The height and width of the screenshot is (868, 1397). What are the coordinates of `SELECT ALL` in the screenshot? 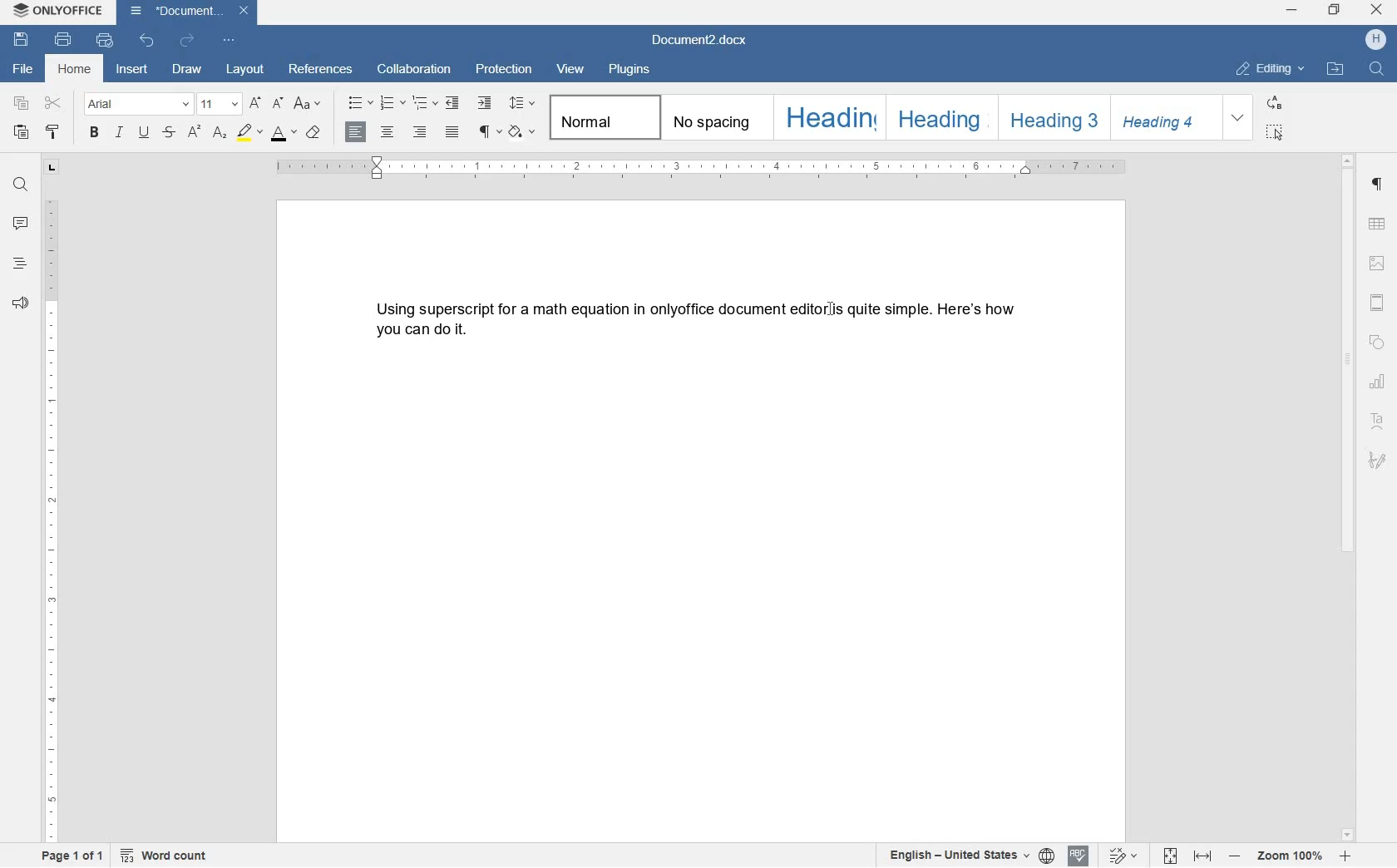 It's located at (1275, 134).